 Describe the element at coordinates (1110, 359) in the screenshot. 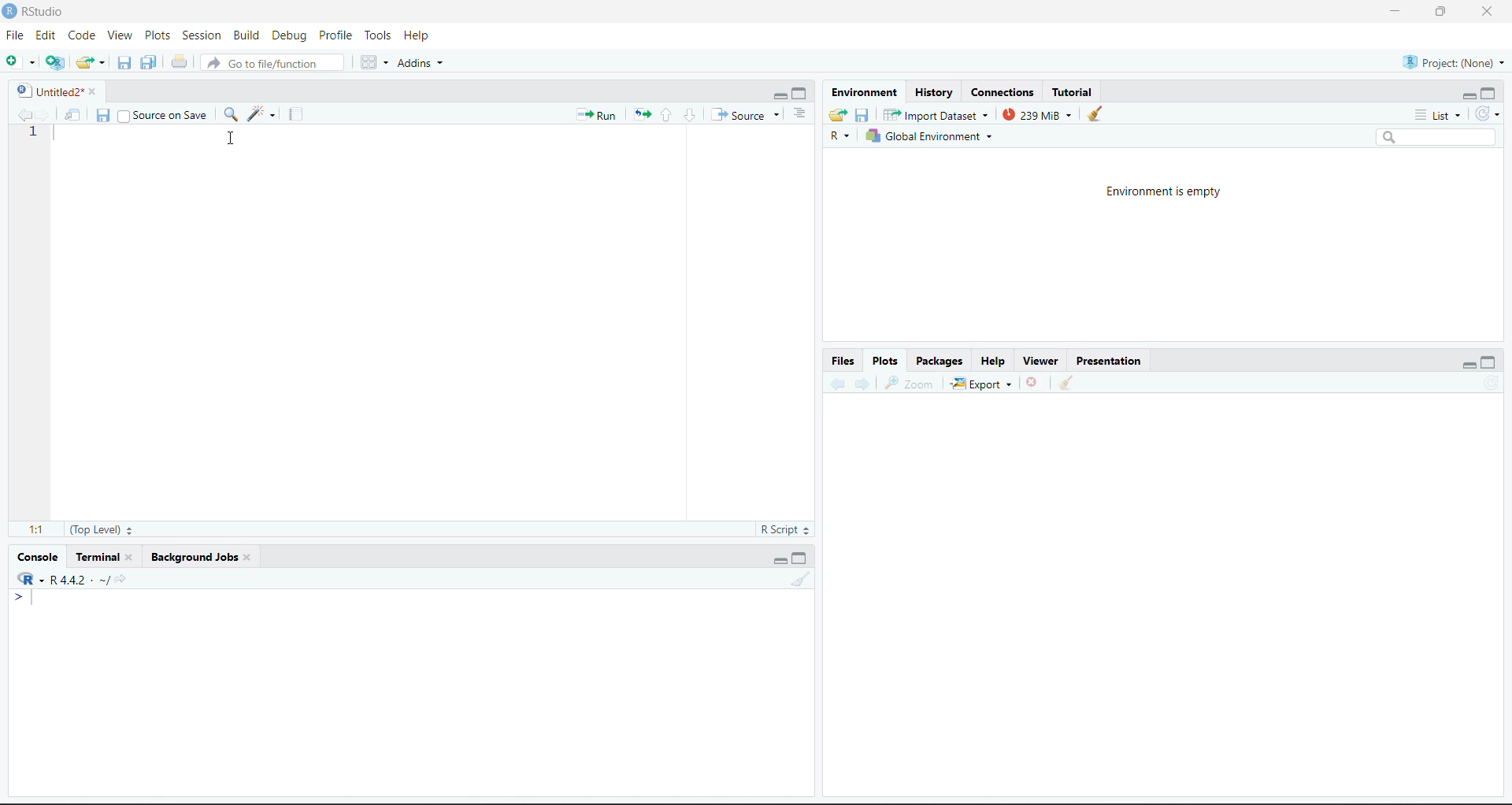

I see `Presentation` at that location.